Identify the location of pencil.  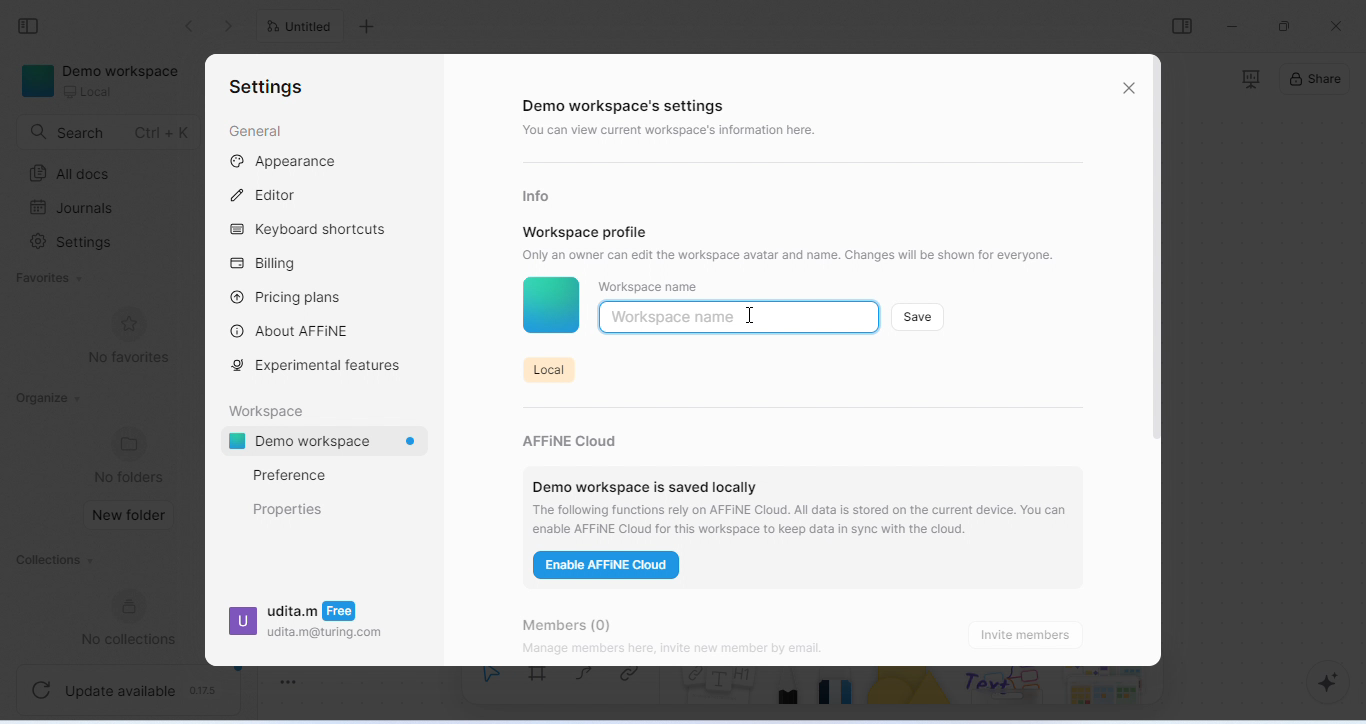
(790, 693).